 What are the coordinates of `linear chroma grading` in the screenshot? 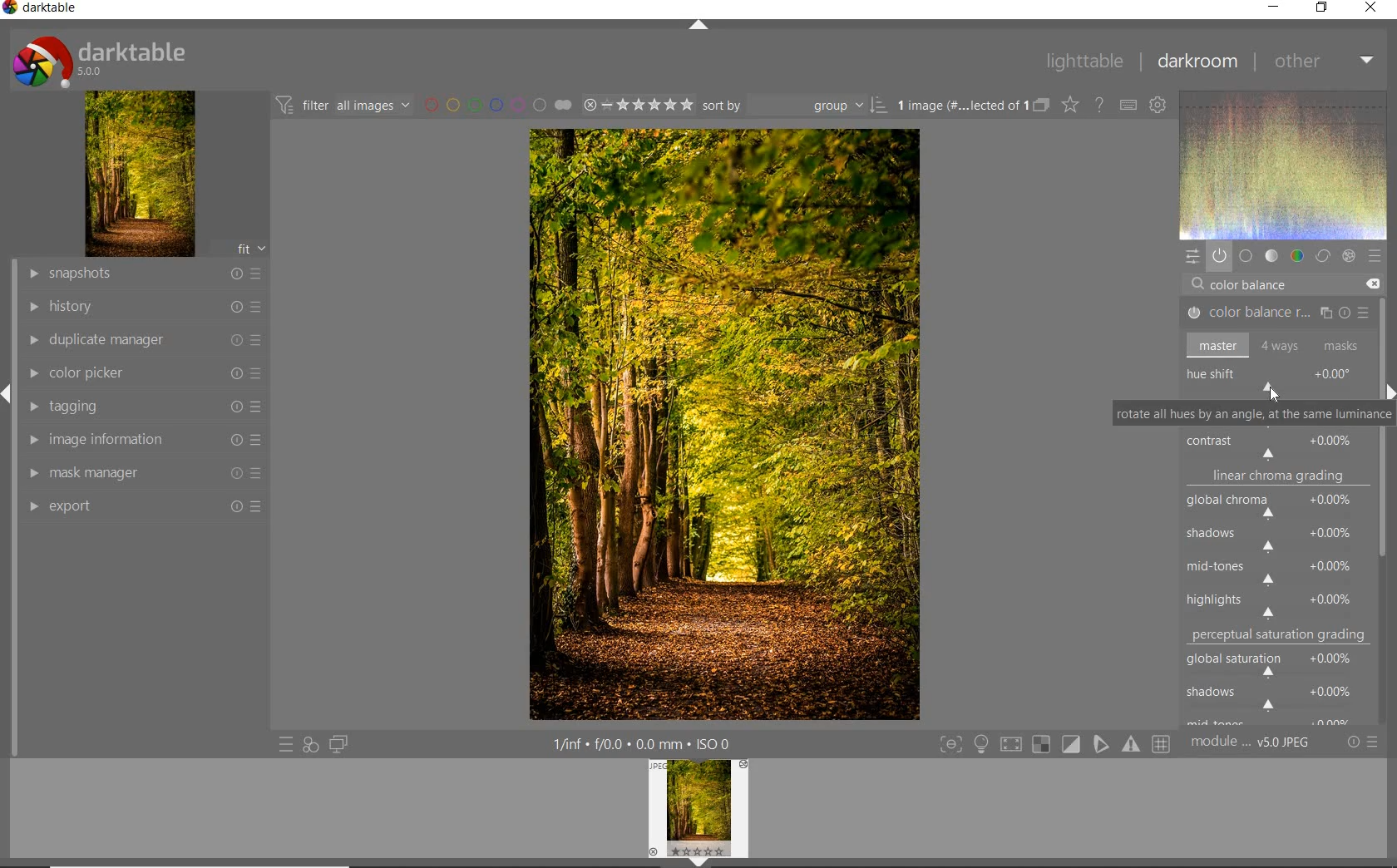 It's located at (1277, 479).